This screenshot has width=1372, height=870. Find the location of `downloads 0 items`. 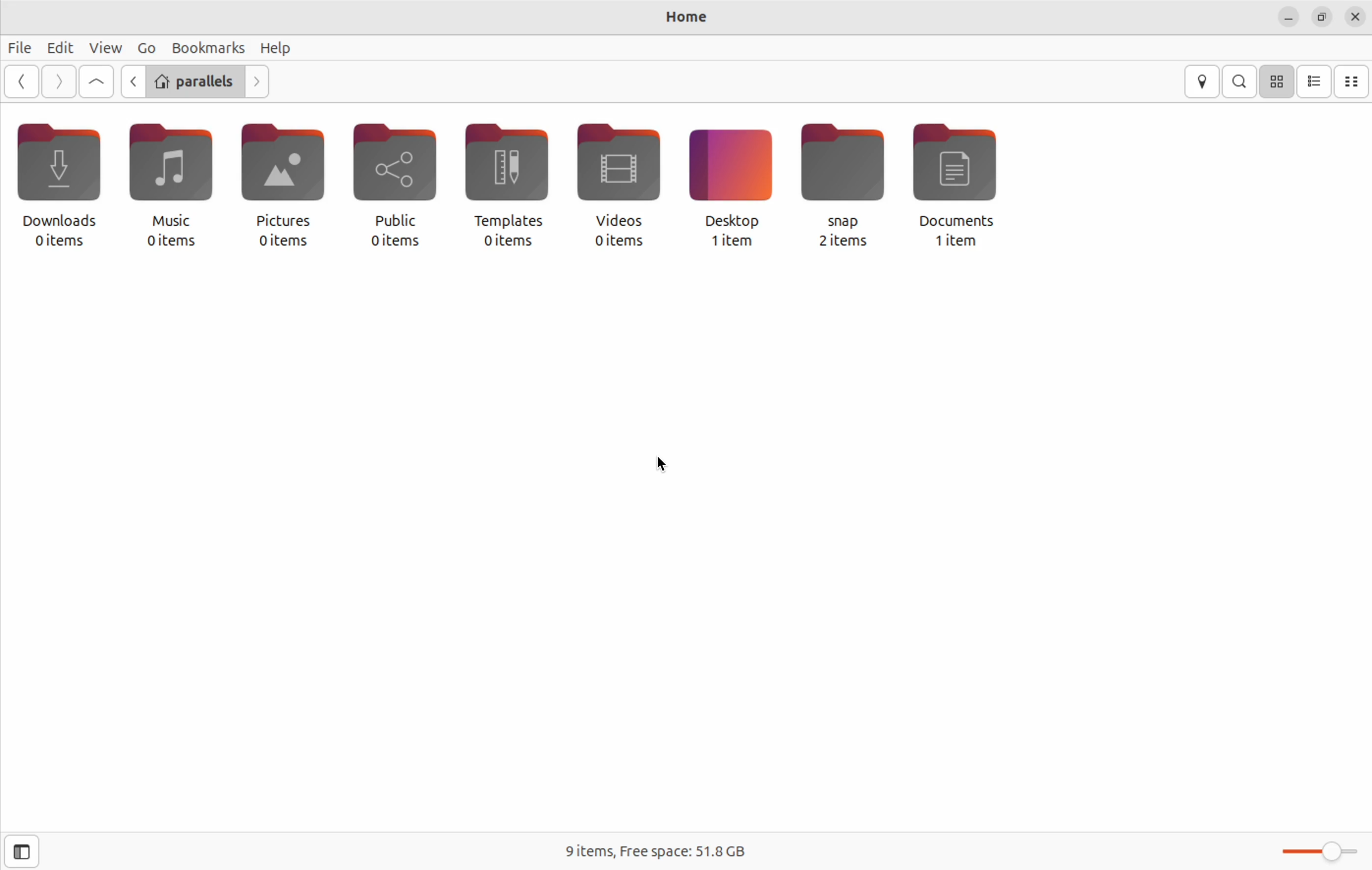

downloads 0 items is located at coordinates (55, 185).